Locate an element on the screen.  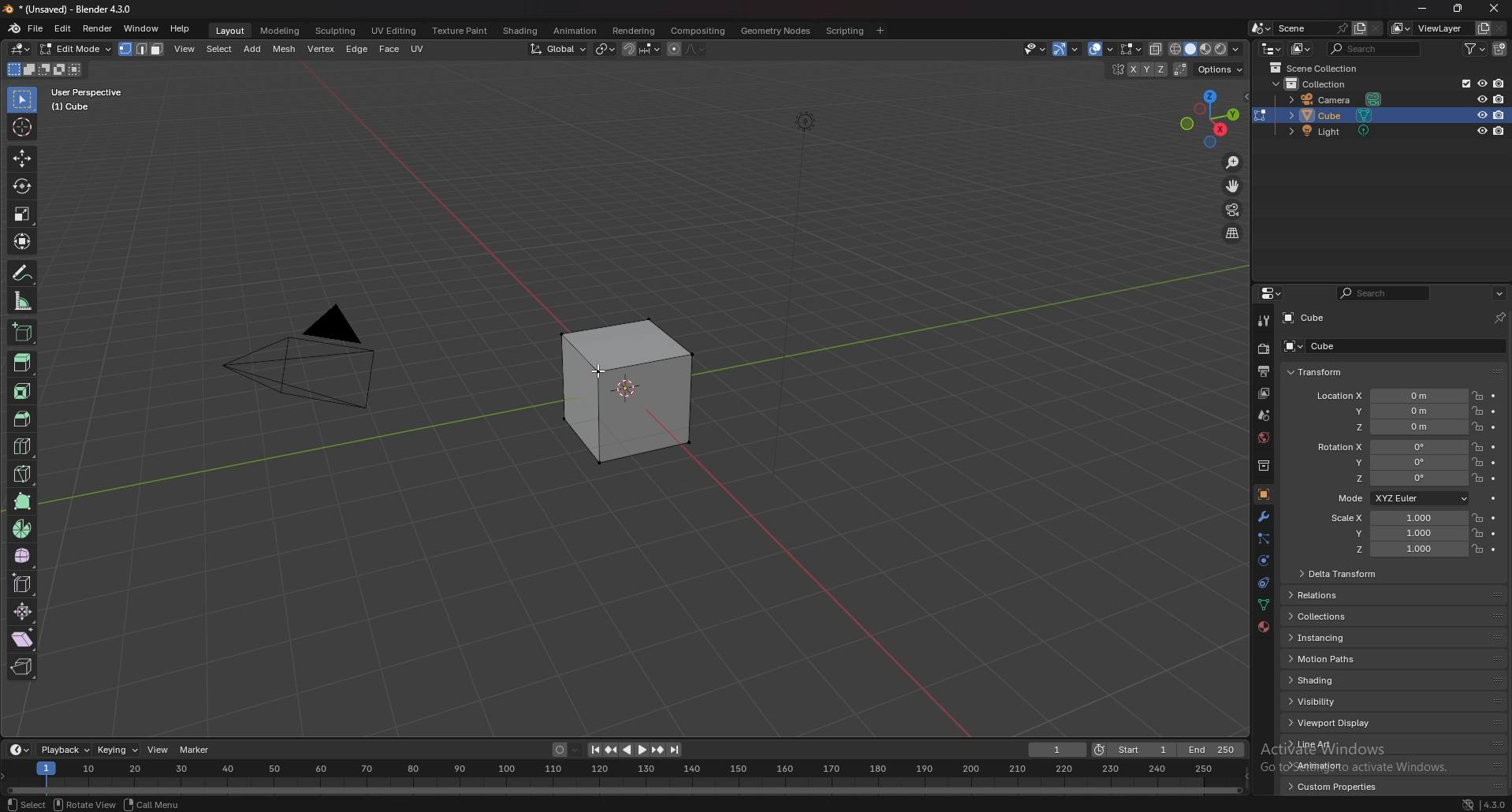
shrink is located at coordinates (23, 613).